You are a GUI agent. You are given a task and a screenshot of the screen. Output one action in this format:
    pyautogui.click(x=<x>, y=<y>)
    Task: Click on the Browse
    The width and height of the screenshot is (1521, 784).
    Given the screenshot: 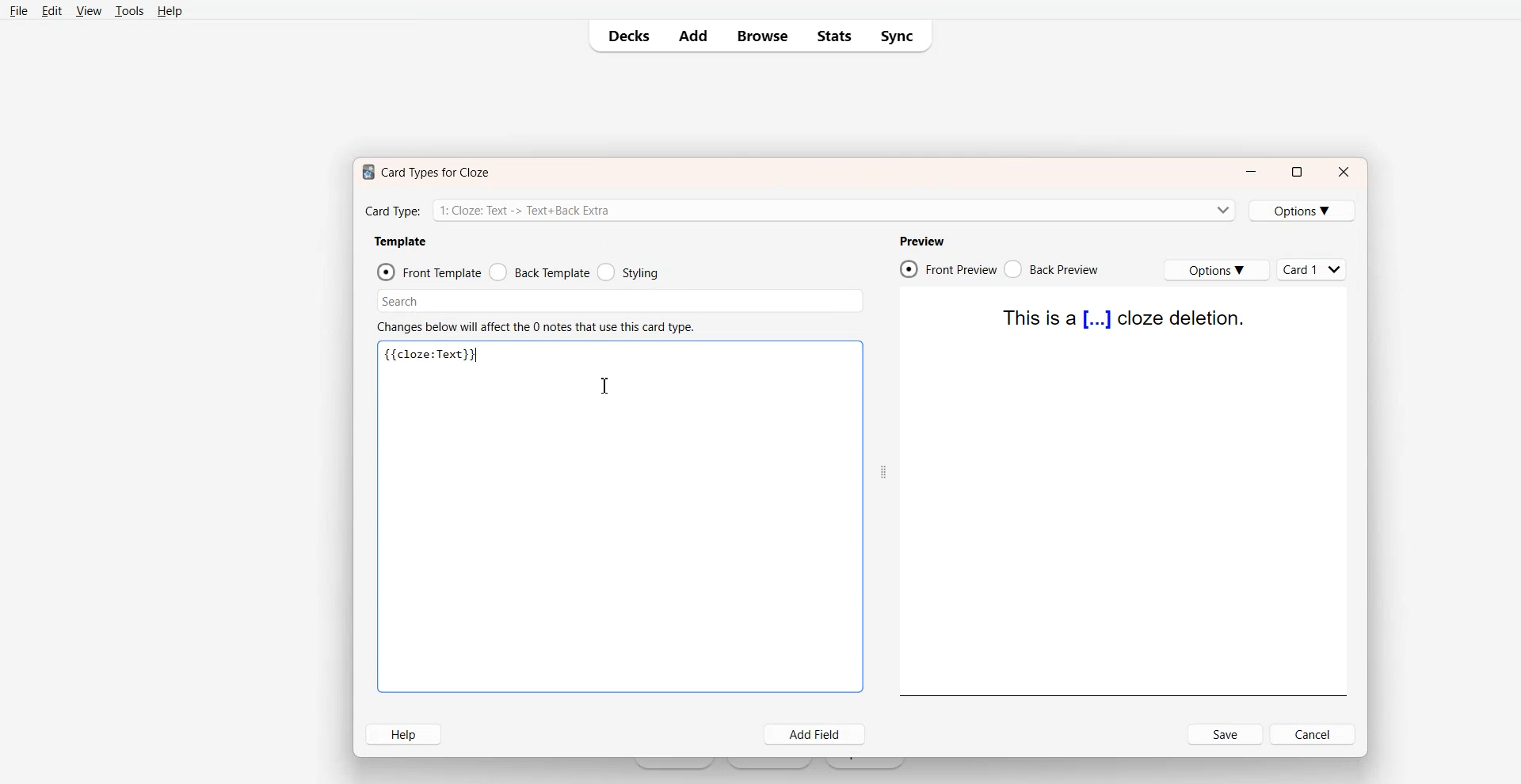 What is the action you would take?
    pyautogui.click(x=761, y=36)
    